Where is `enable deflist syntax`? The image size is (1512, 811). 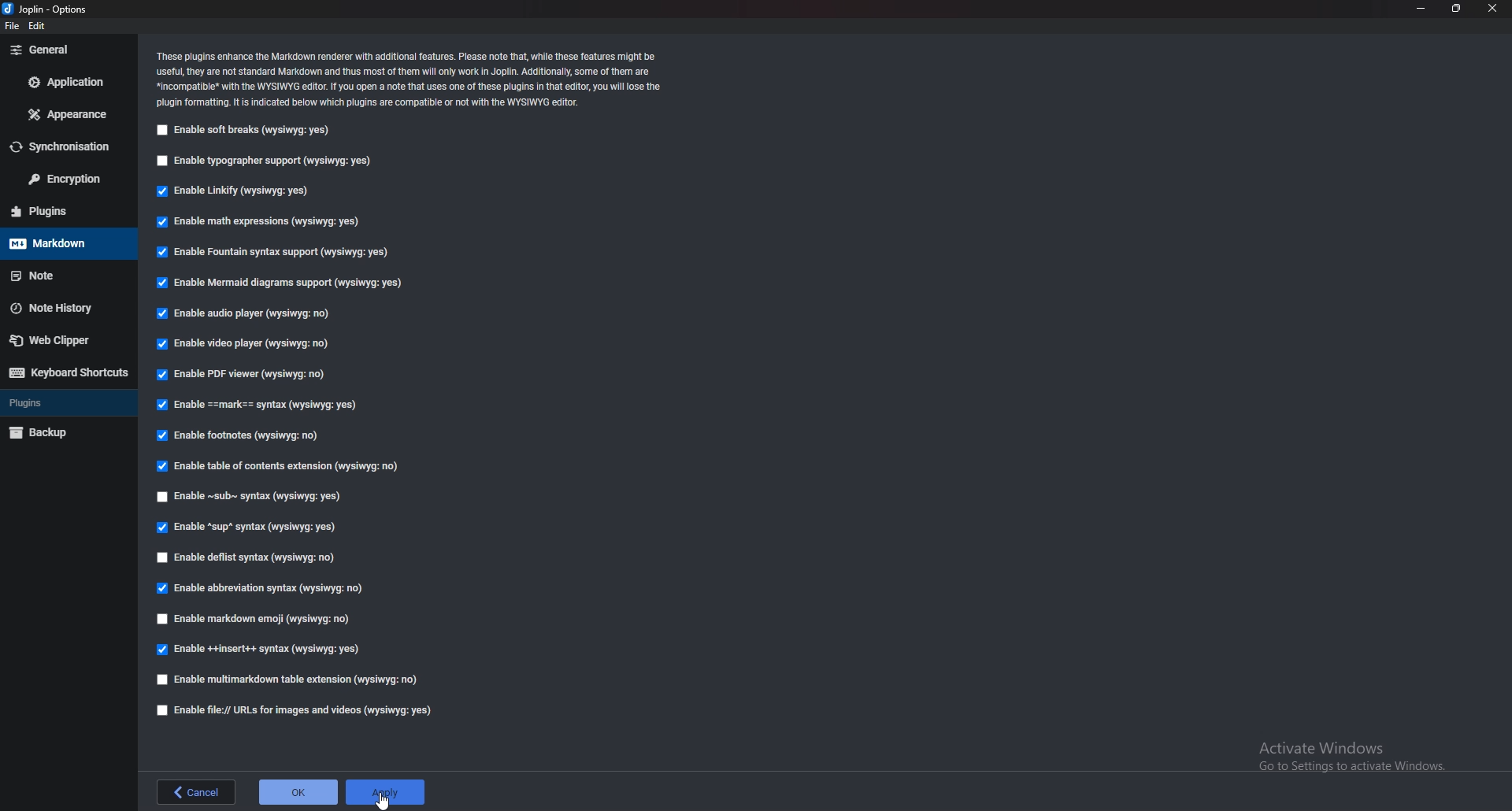
enable deflist syntax is located at coordinates (246, 558).